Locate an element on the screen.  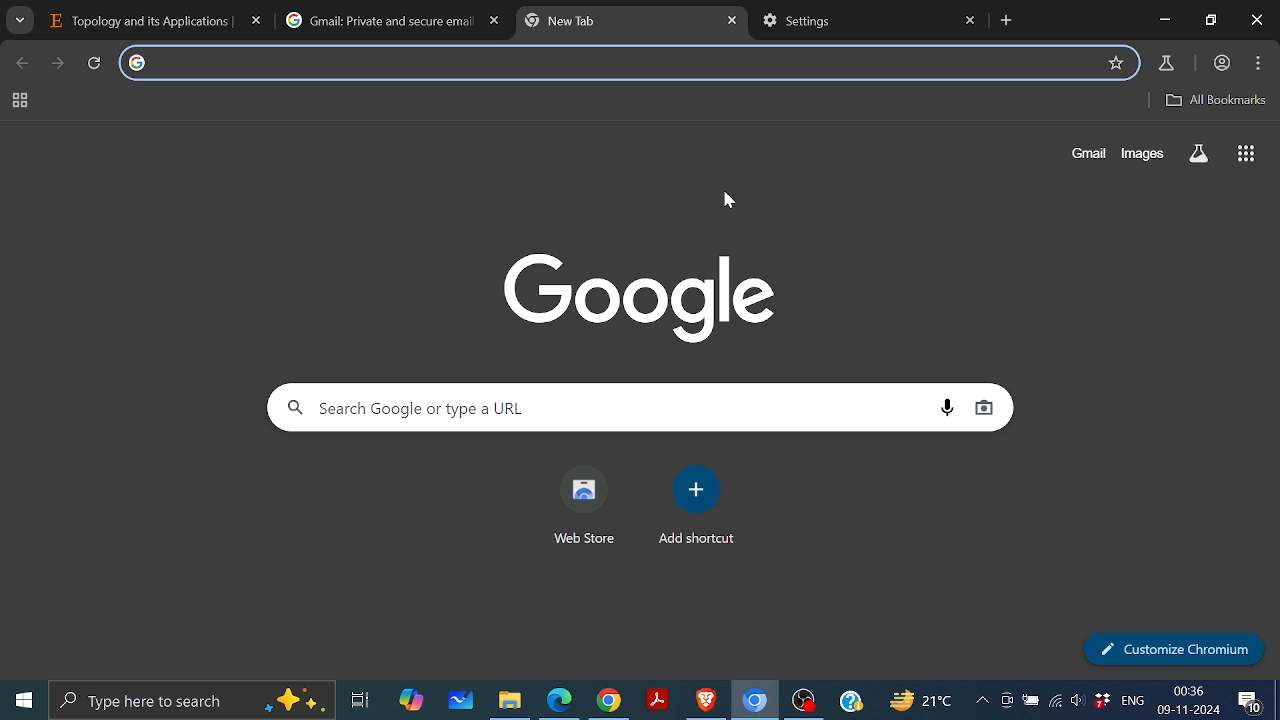
meet is located at coordinates (1009, 701).